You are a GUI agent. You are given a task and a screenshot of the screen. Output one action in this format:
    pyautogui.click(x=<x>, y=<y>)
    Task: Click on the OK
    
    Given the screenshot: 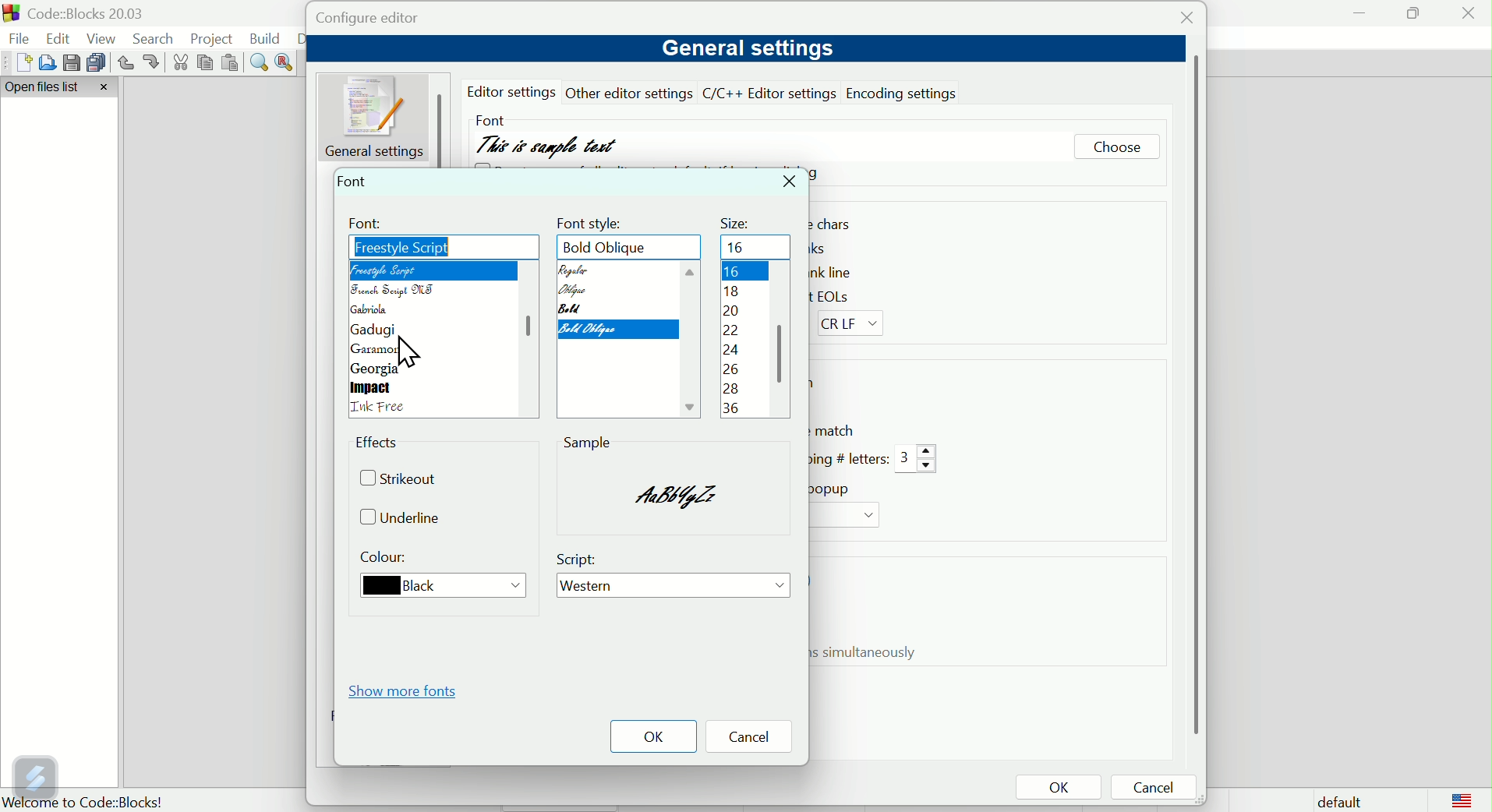 What is the action you would take?
    pyautogui.click(x=653, y=736)
    